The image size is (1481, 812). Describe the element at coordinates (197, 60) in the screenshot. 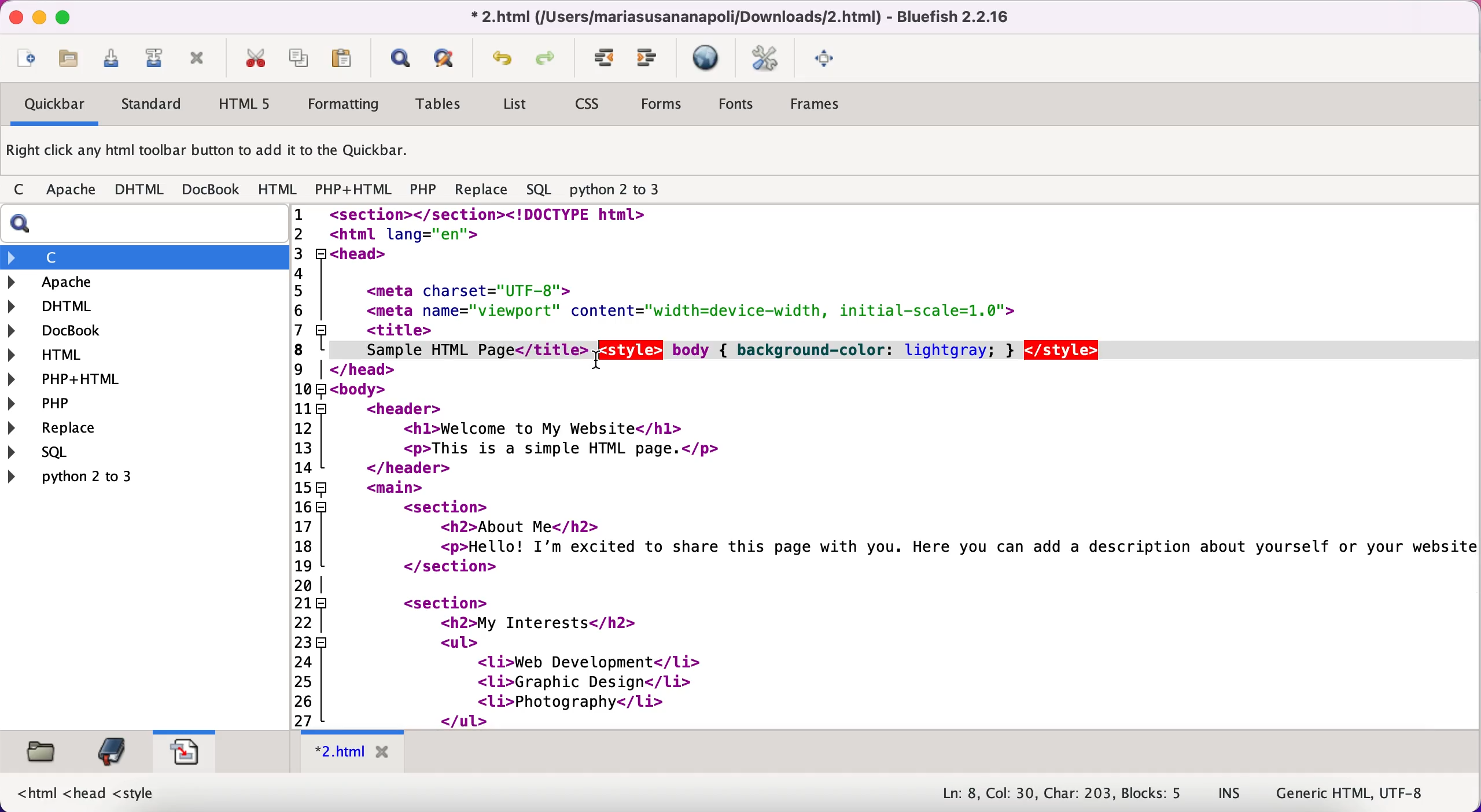

I see `close current file` at that location.